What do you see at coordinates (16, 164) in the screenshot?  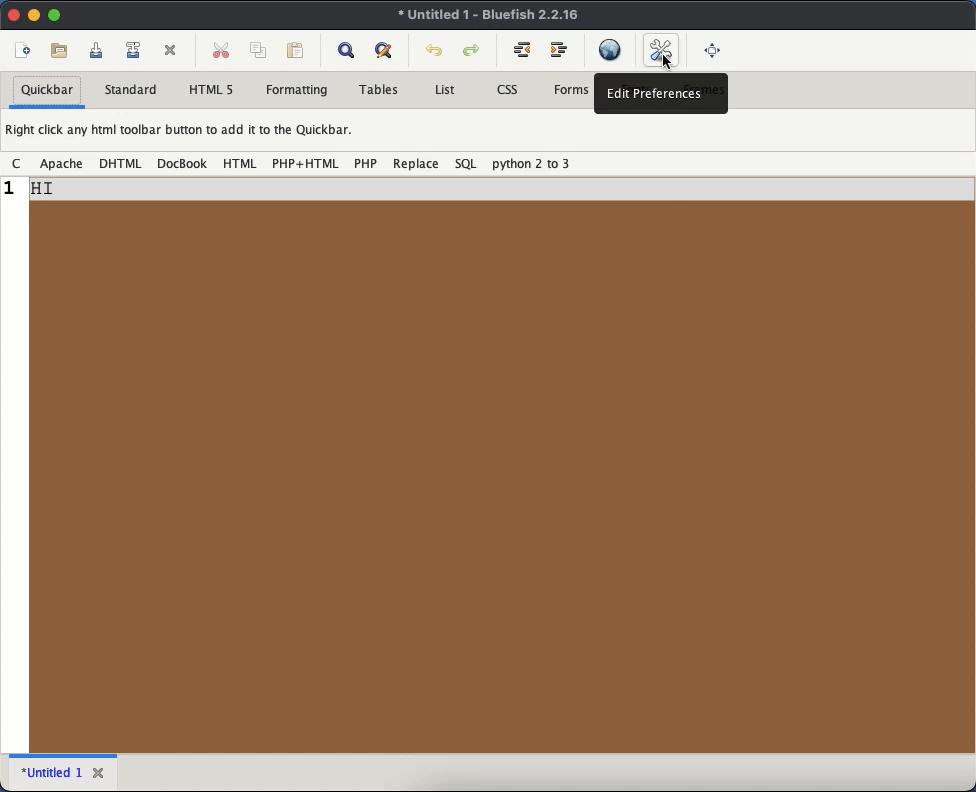 I see `c` at bounding box center [16, 164].